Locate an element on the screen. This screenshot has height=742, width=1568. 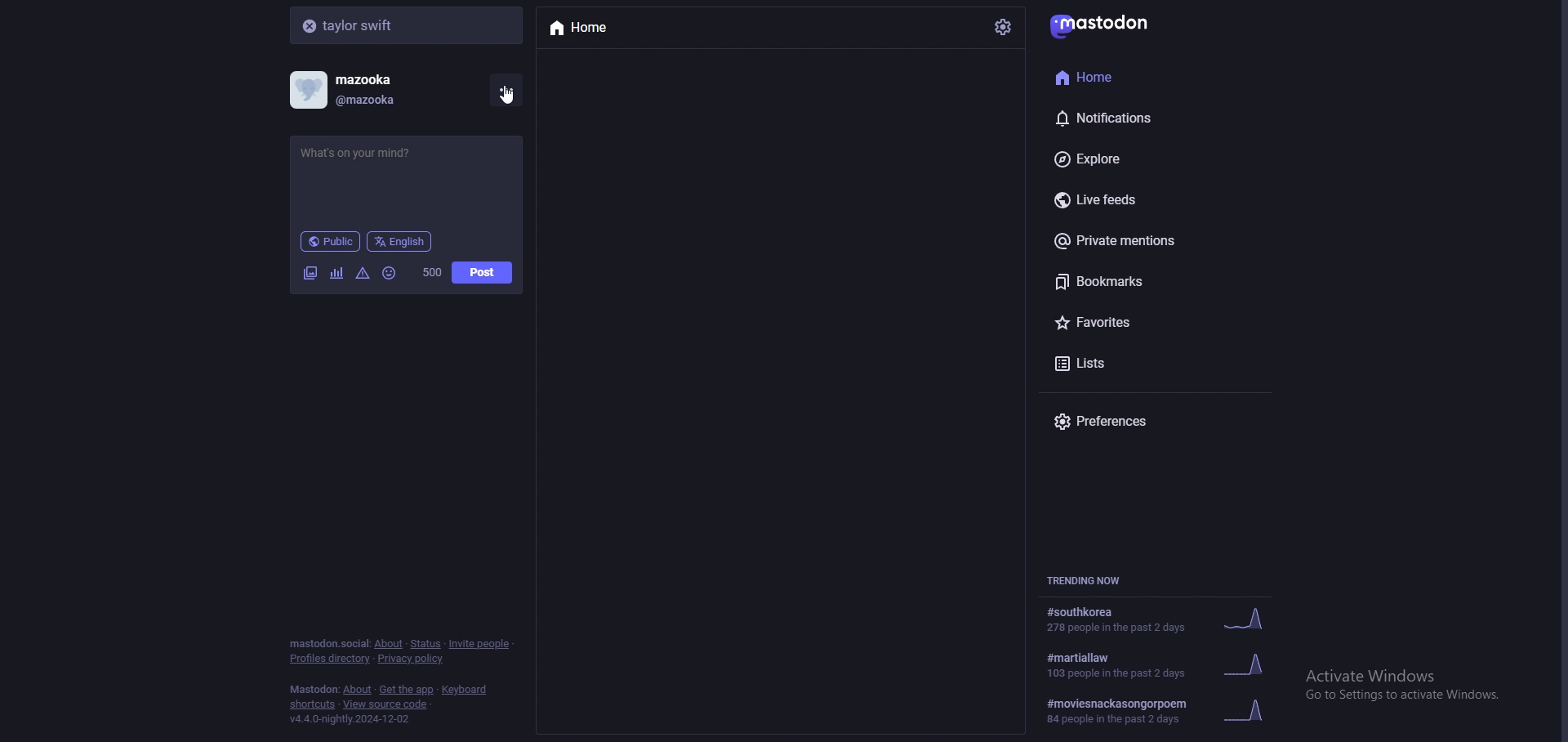
word limit is located at coordinates (431, 273).